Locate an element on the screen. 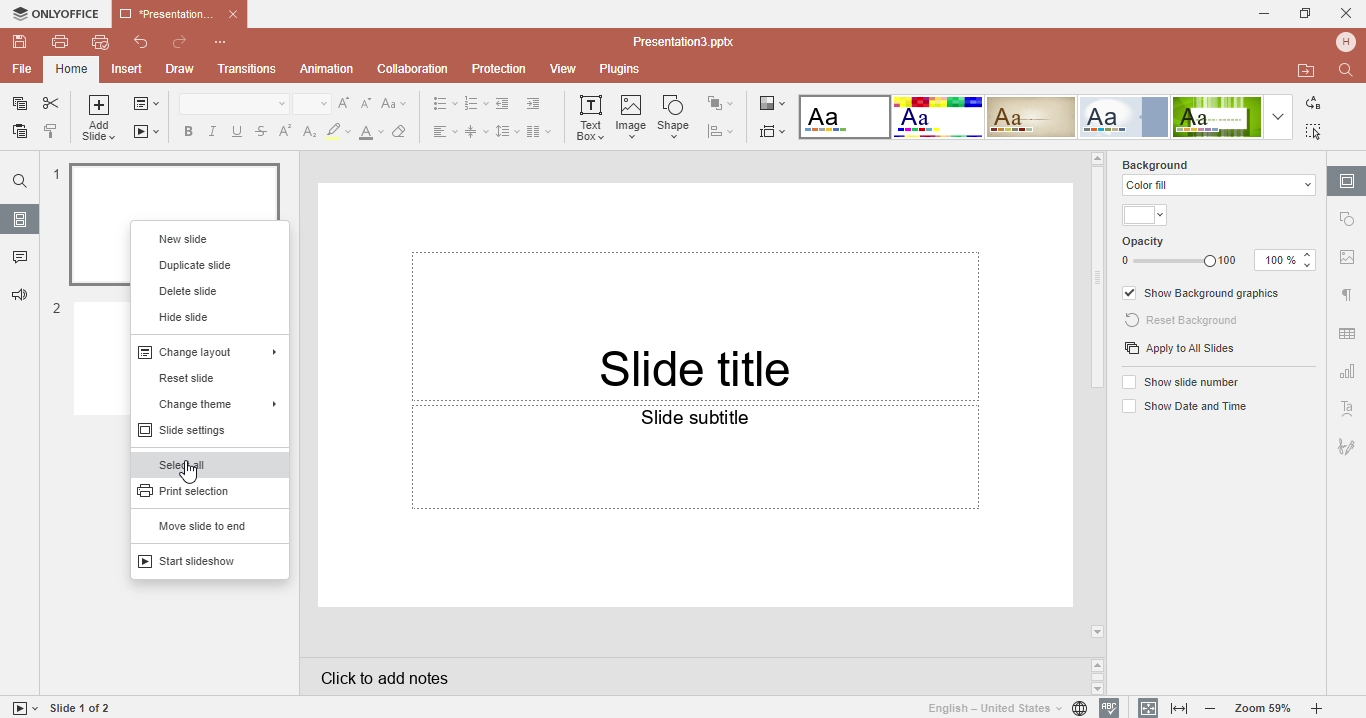  Animation is located at coordinates (326, 68).